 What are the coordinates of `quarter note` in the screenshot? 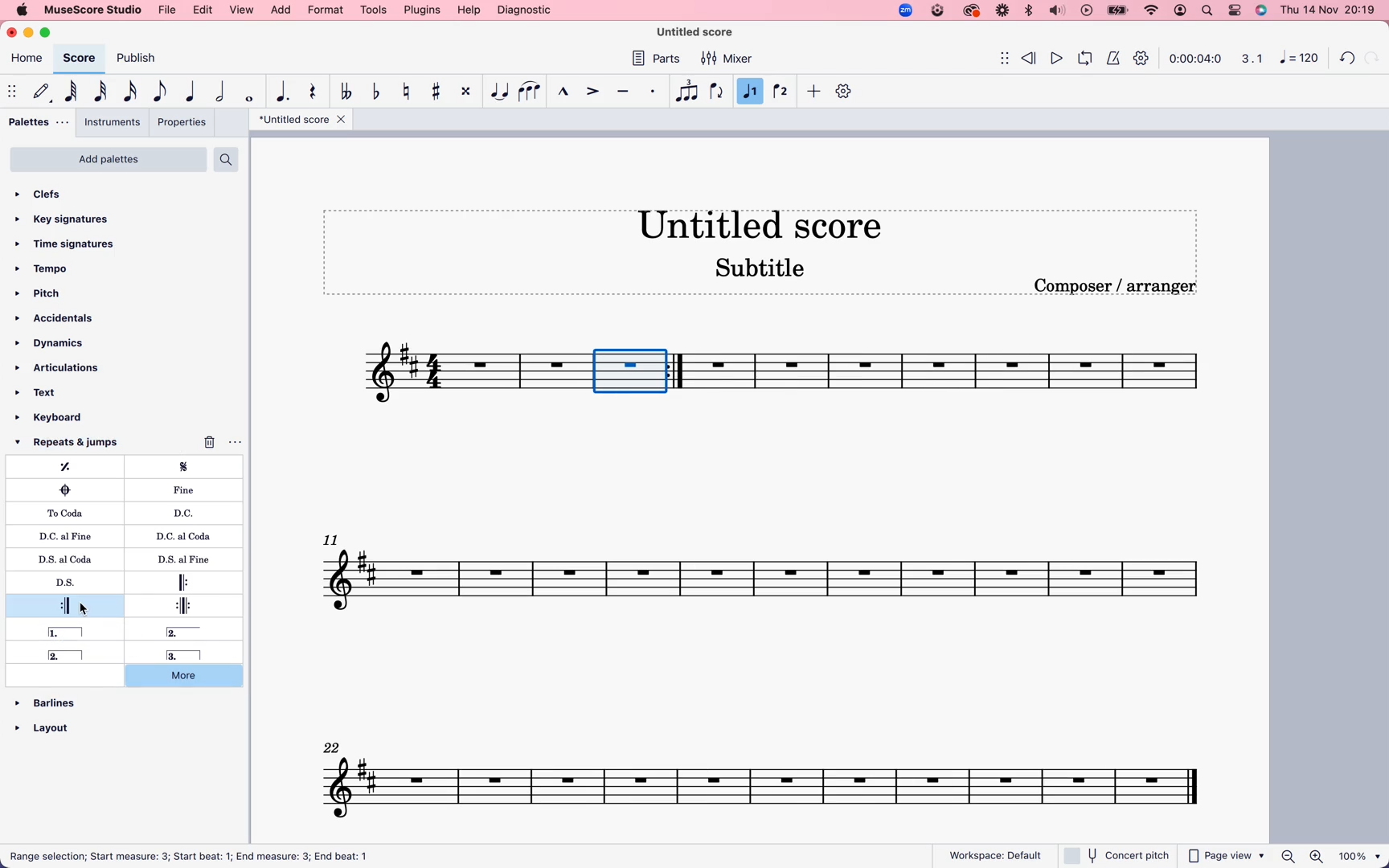 It's located at (192, 89).